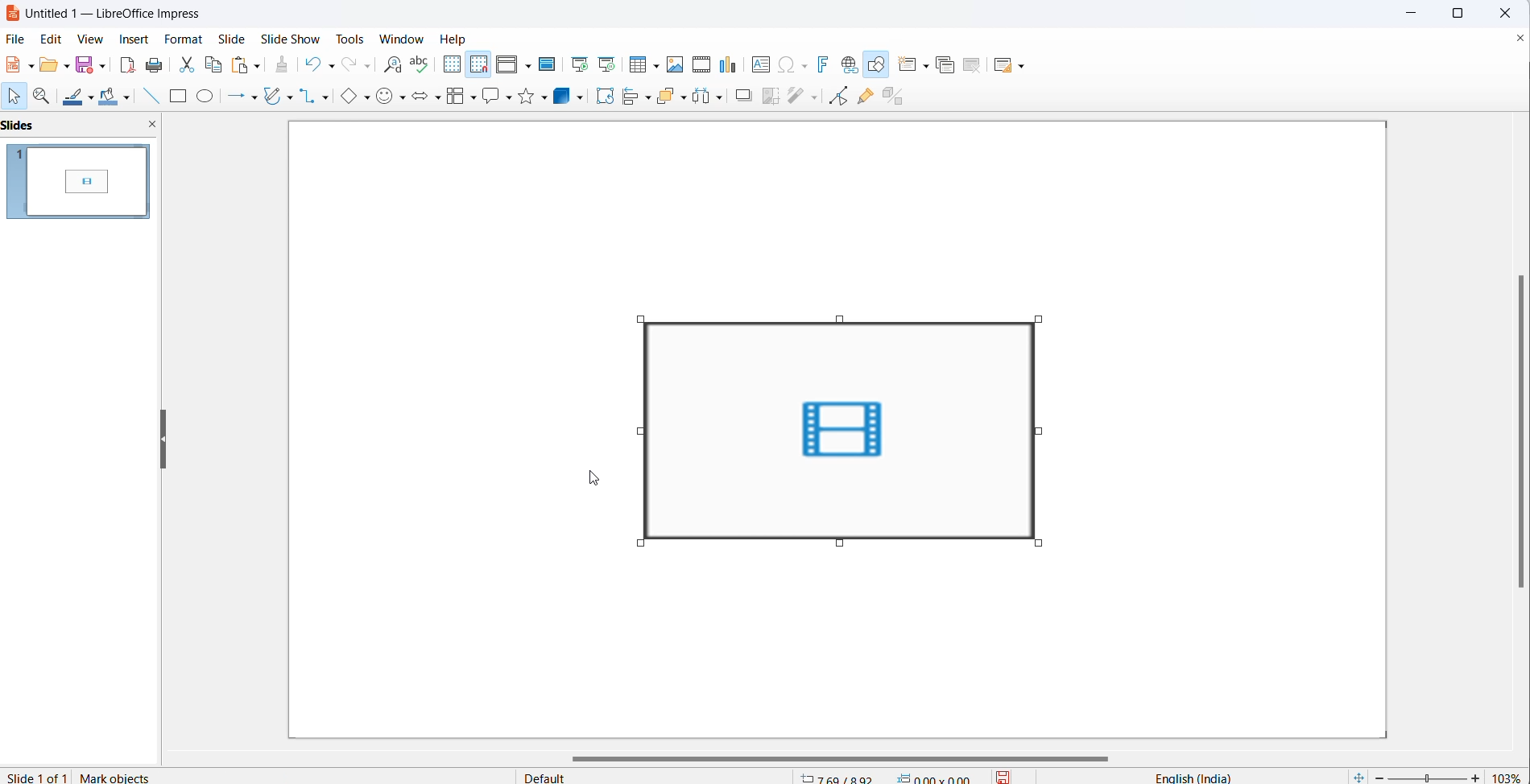  Describe the element at coordinates (78, 183) in the screenshot. I see `slides` at that location.